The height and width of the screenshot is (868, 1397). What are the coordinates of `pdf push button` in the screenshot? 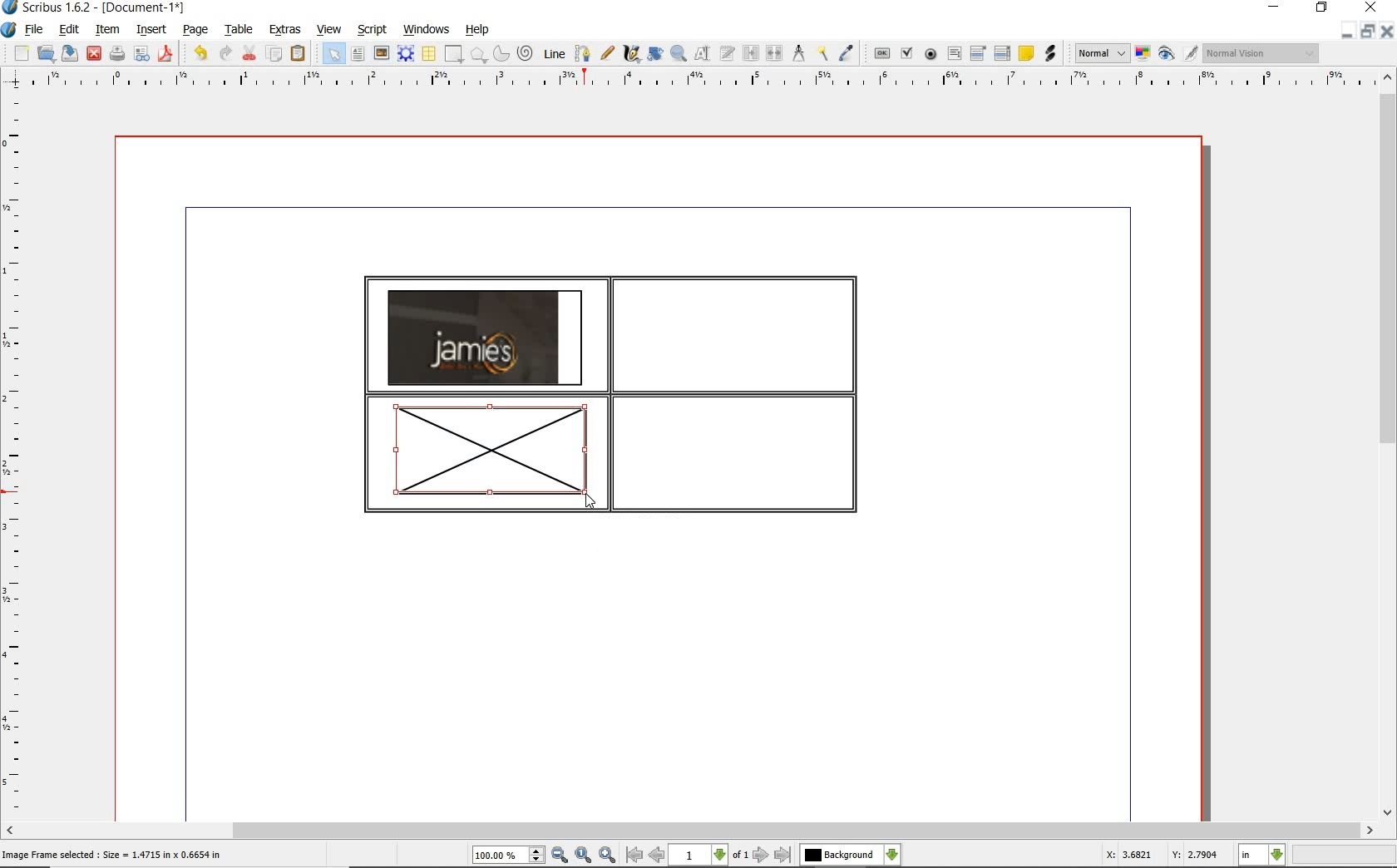 It's located at (882, 52).